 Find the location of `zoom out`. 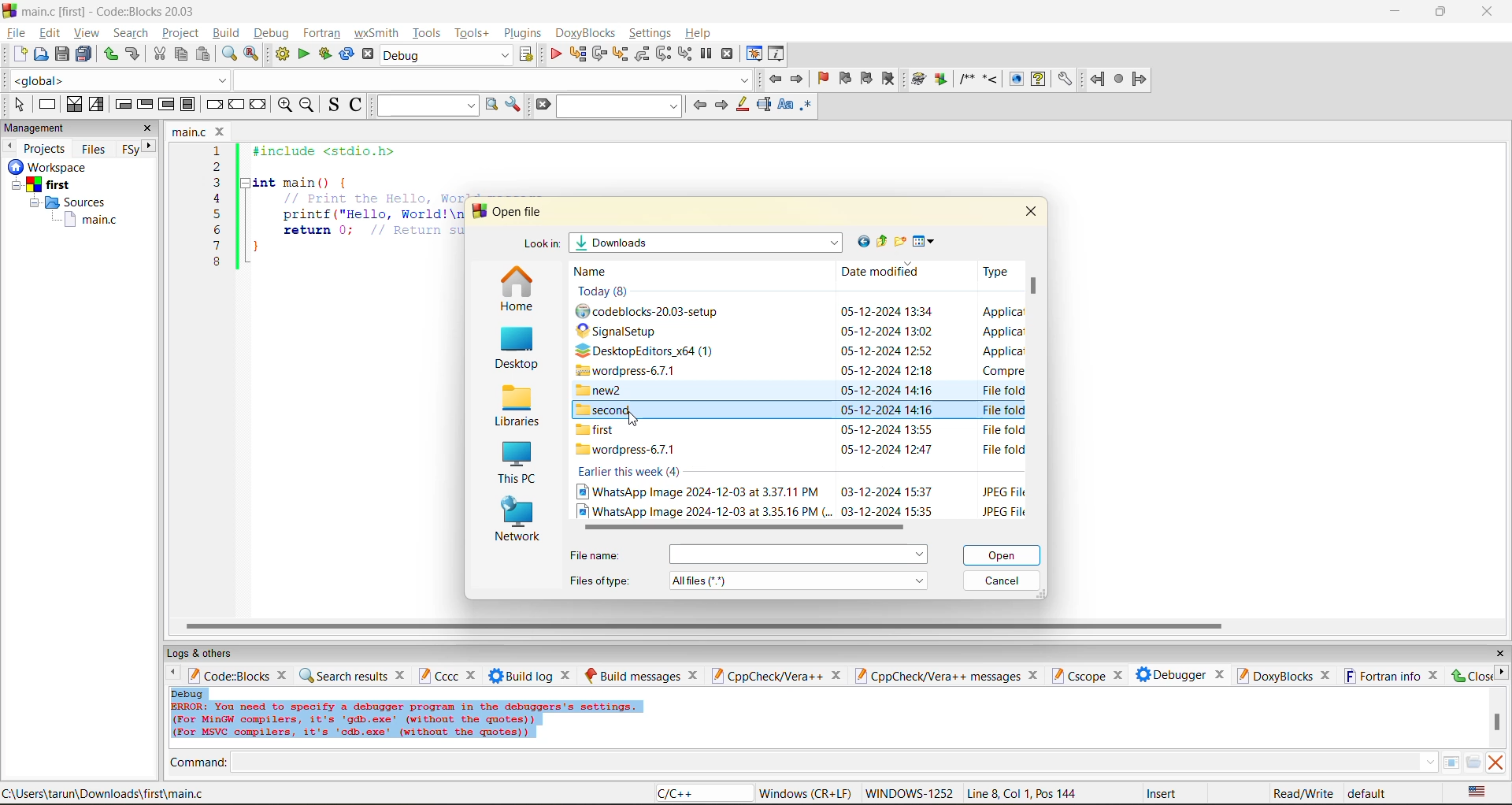

zoom out is located at coordinates (306, 106).